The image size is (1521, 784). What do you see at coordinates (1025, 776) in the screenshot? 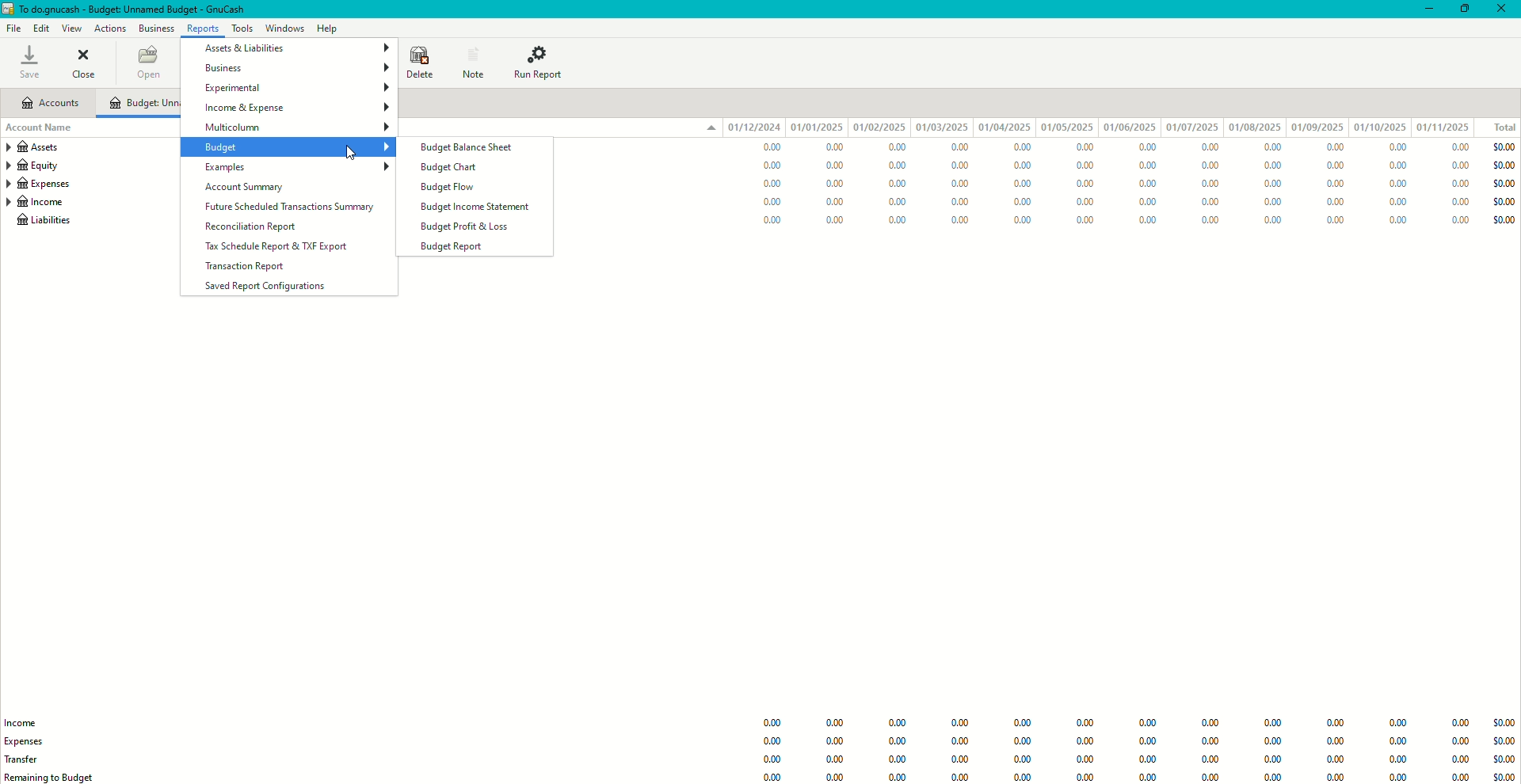
I see `0.00` at bounding box center [1025, 776].